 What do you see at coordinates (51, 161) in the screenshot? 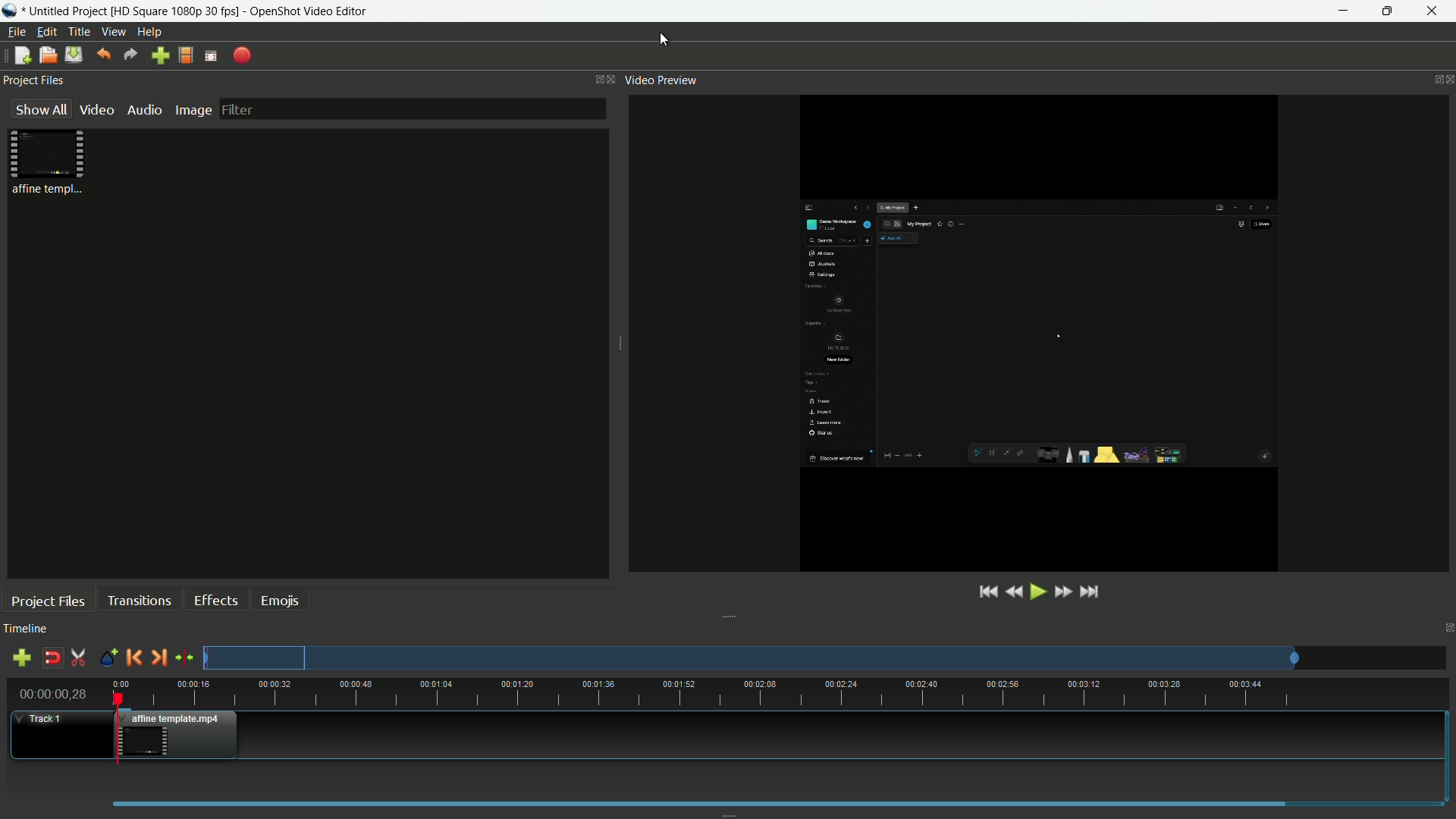
I see `project file` at bounding box center [51, 161].